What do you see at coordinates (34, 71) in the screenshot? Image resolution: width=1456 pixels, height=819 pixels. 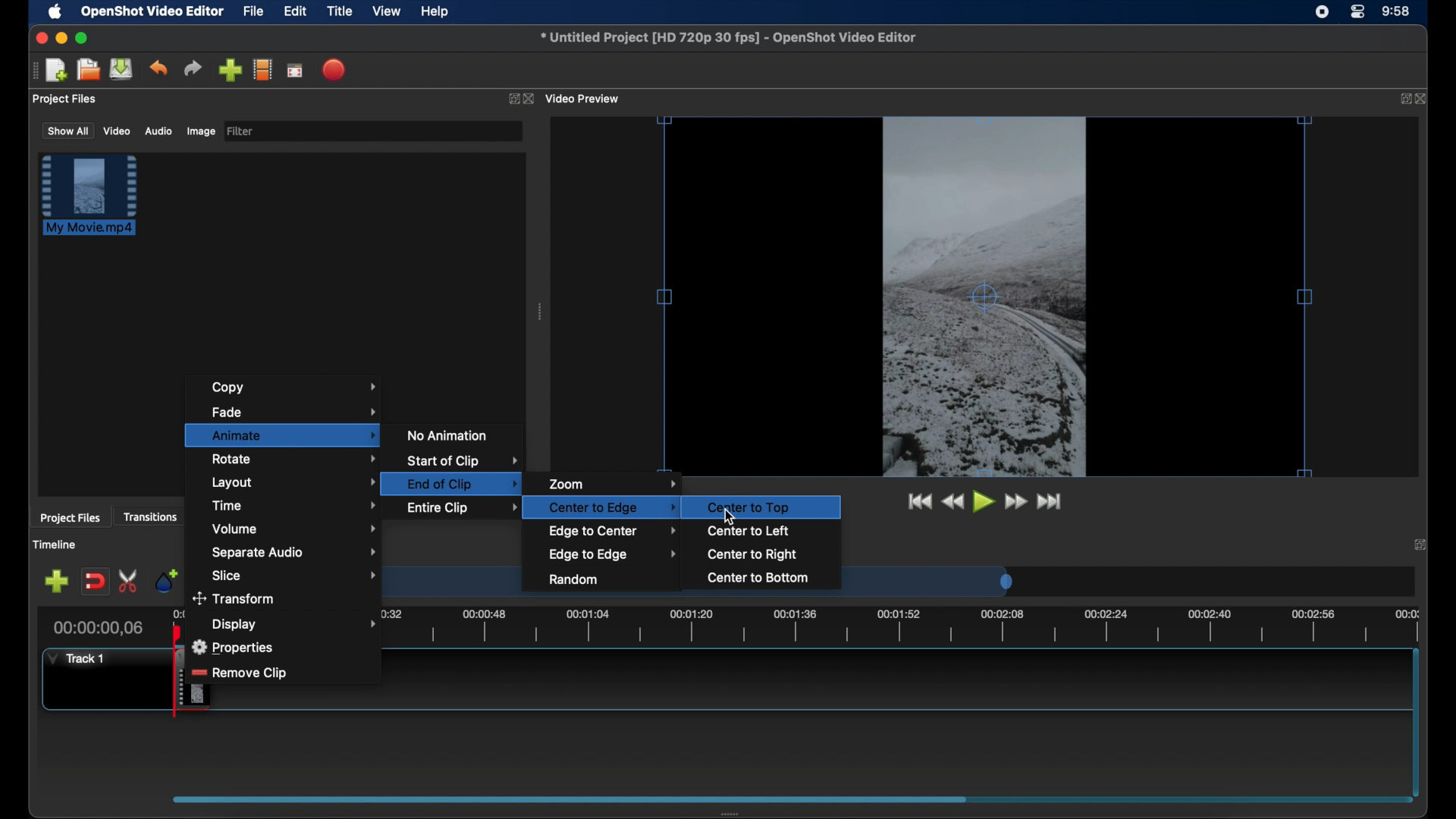 I see `drag handle` at bounding box center [34, 71].